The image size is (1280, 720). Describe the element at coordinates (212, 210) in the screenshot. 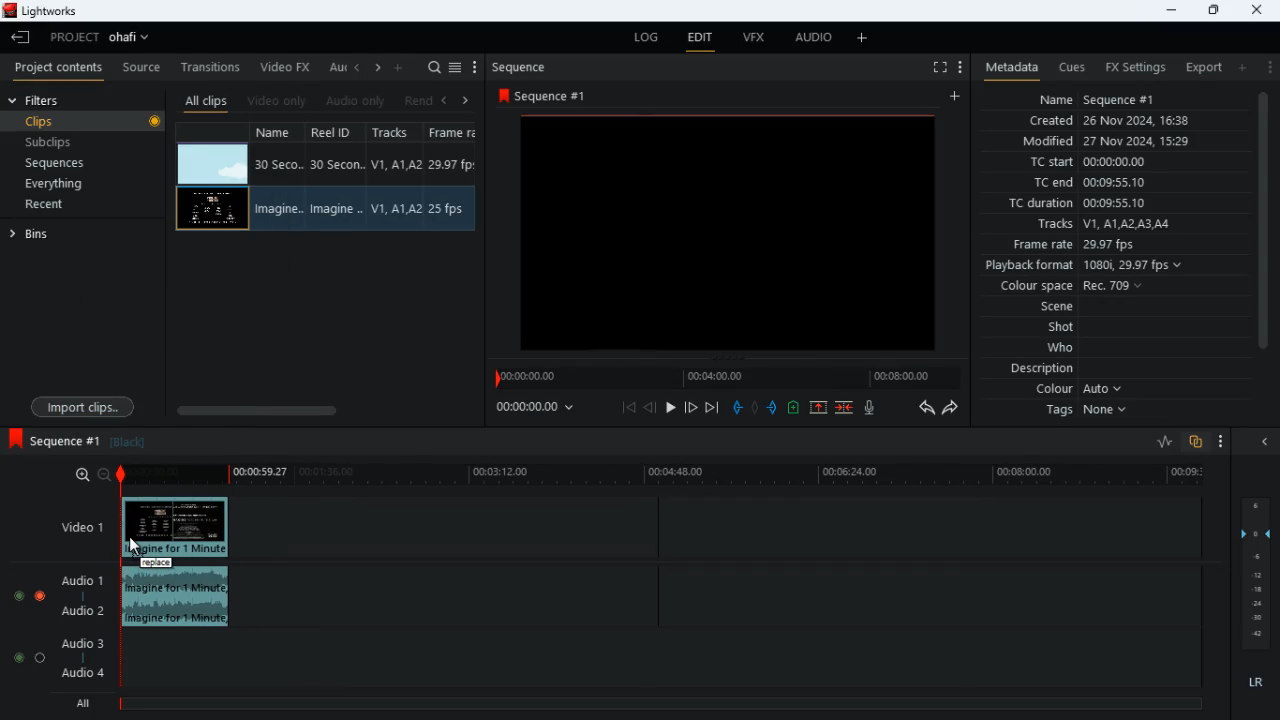

I see `image` at that location.